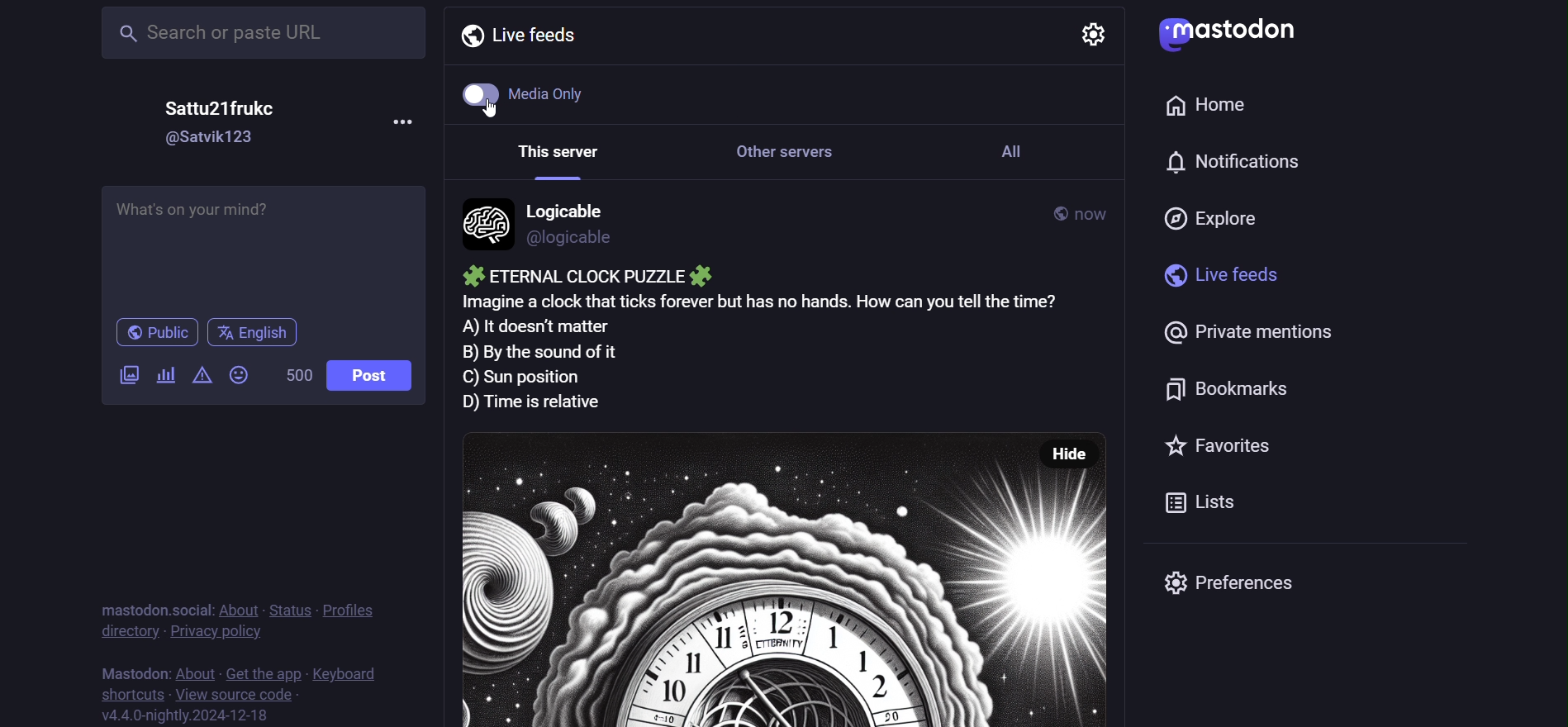  What do you see at coordinates (158, 333) in the screenshot?
I see `public` at bounding box center [158, 333].